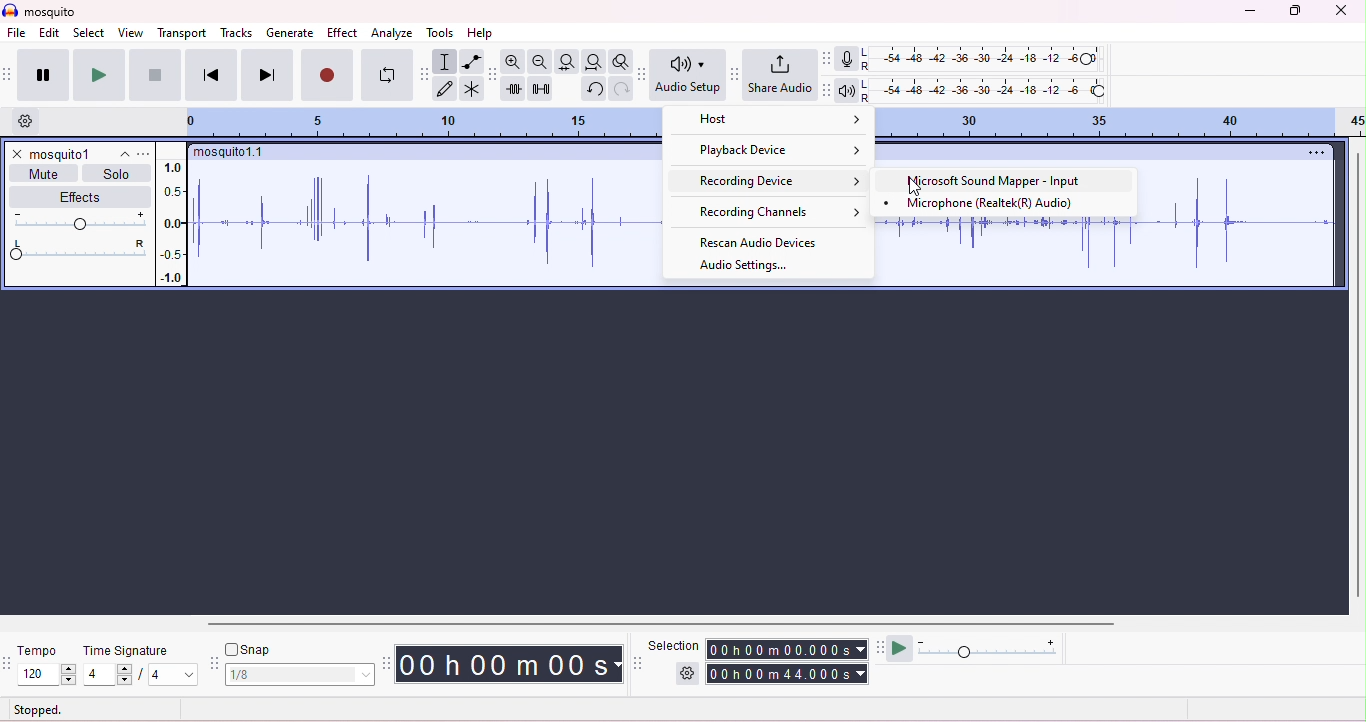  Describe the element at coordinates (661, 624) in the screenshot. I see `horizontal scroll bar` at that location.